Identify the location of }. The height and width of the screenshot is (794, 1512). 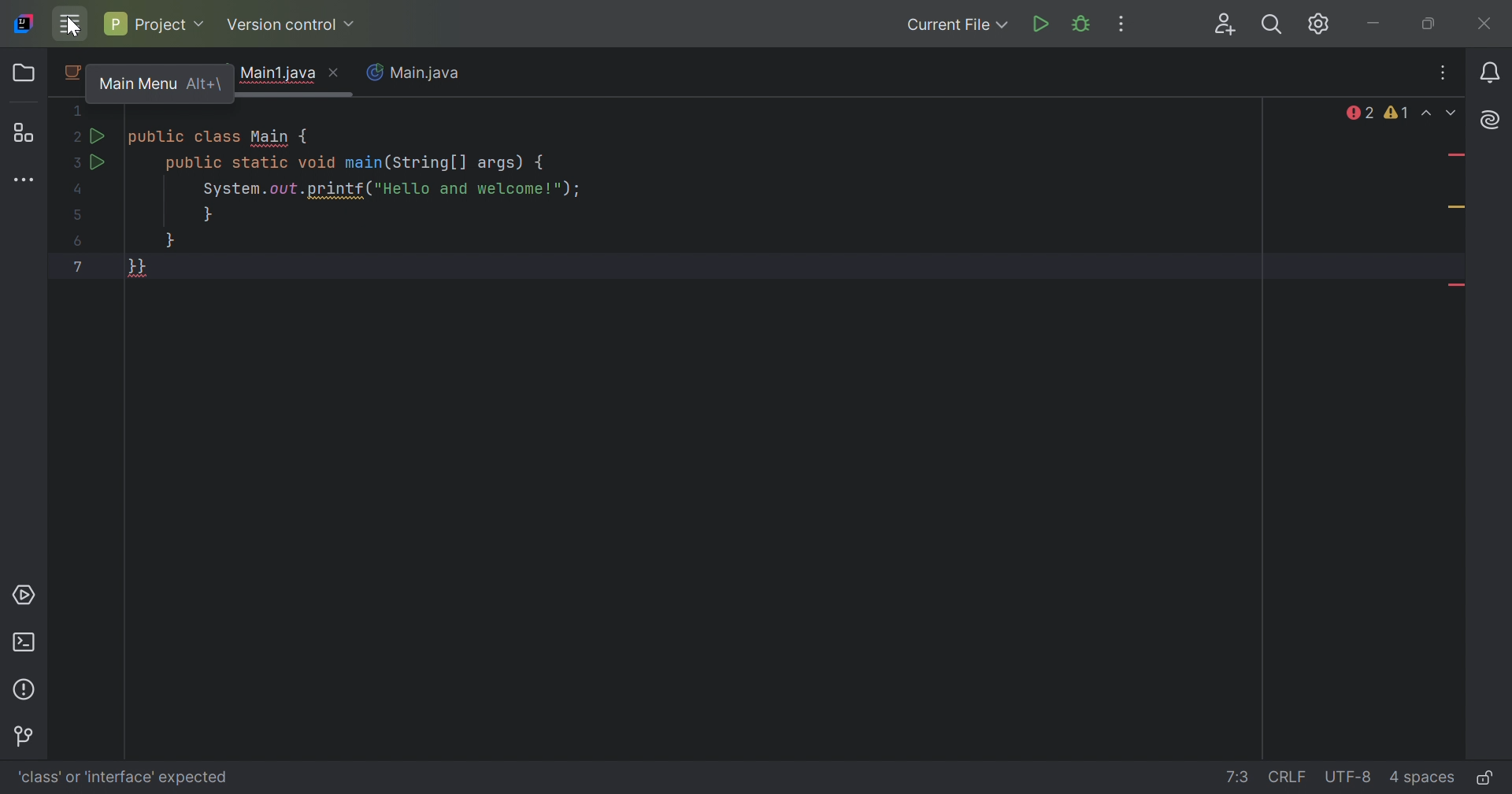
(171, 242).